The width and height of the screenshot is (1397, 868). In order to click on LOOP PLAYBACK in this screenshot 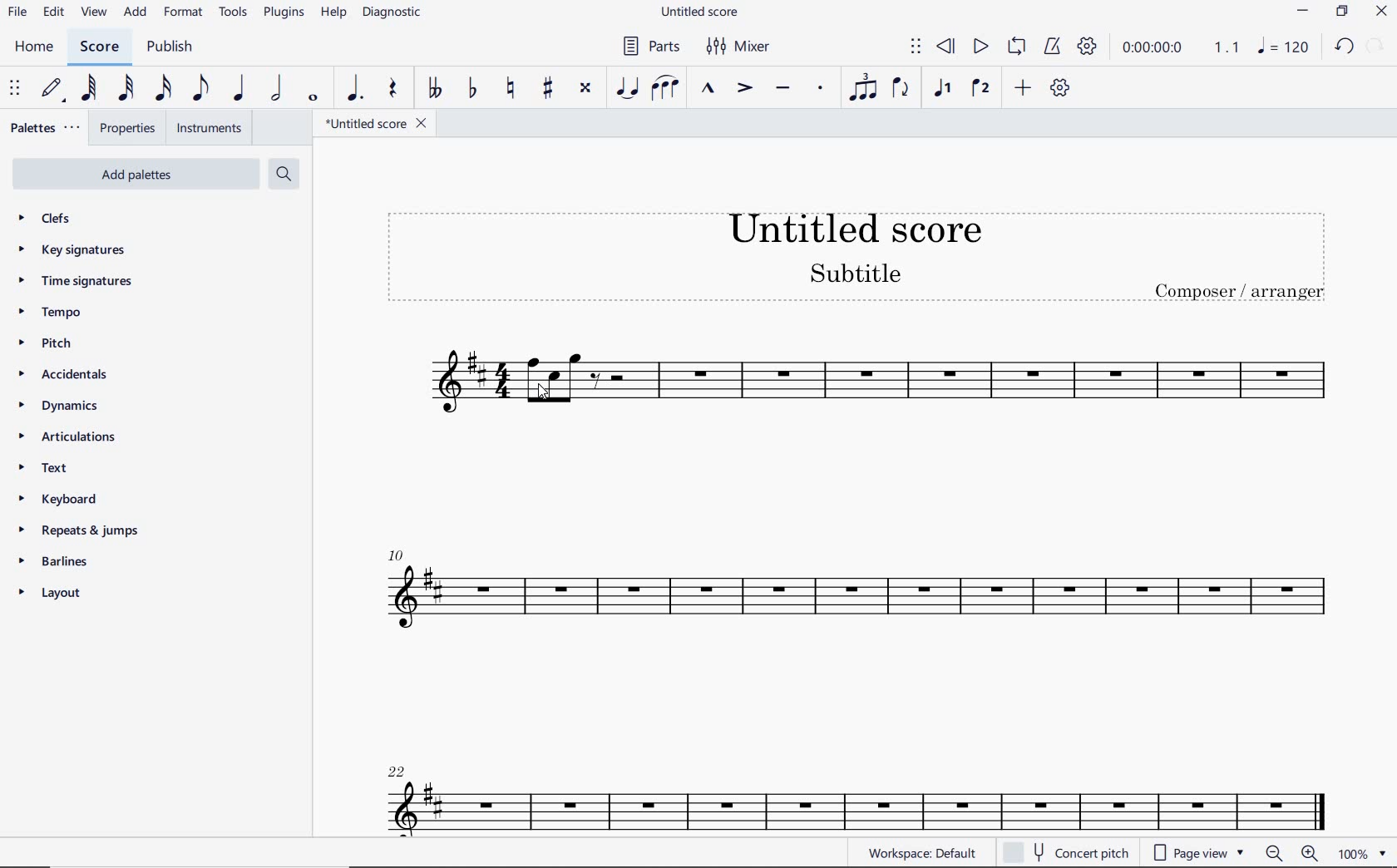, I will do `click(1019, 47)`.